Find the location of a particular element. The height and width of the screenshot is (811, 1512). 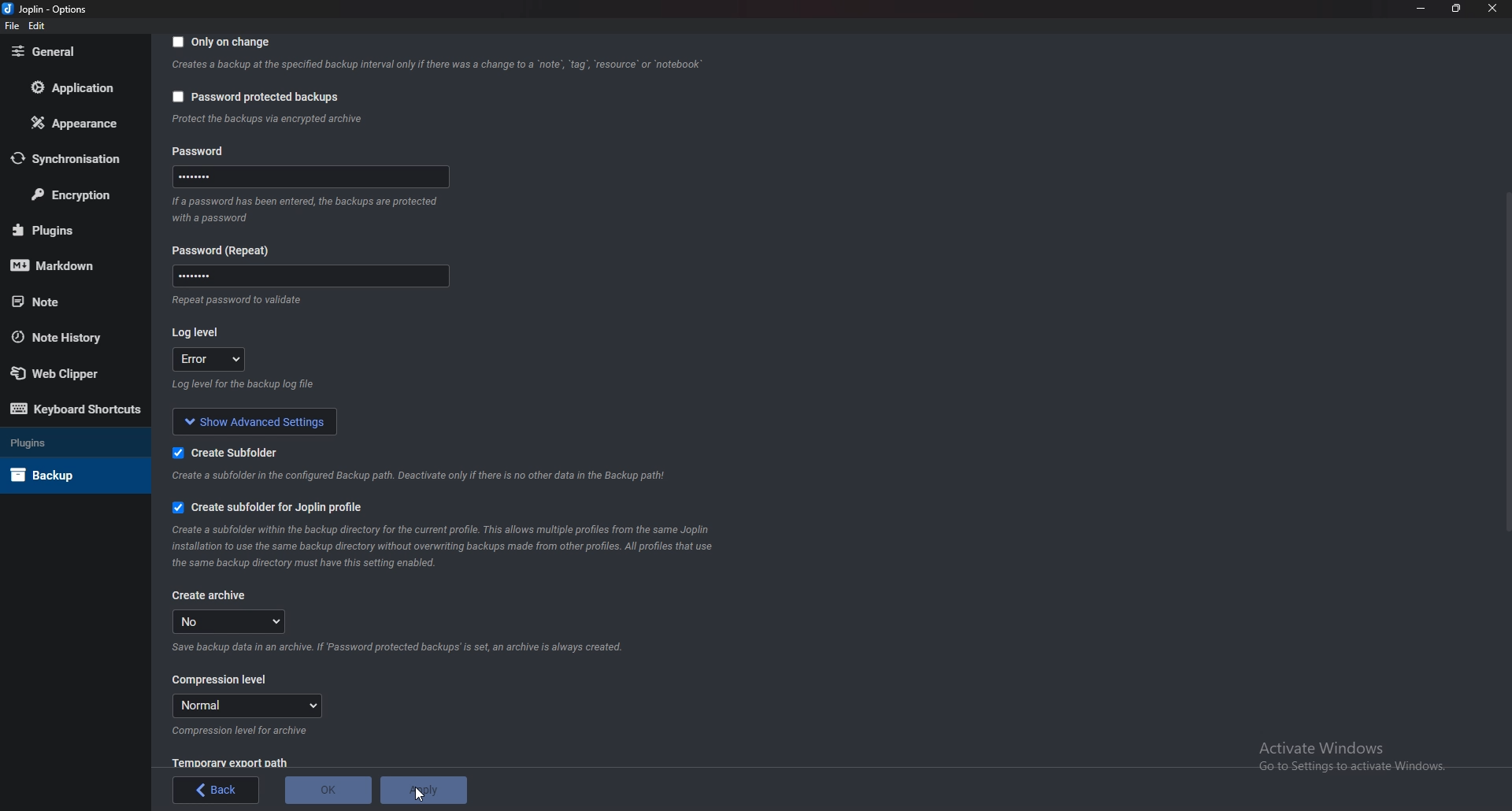

Only on change is located at coordinates (224, 43).